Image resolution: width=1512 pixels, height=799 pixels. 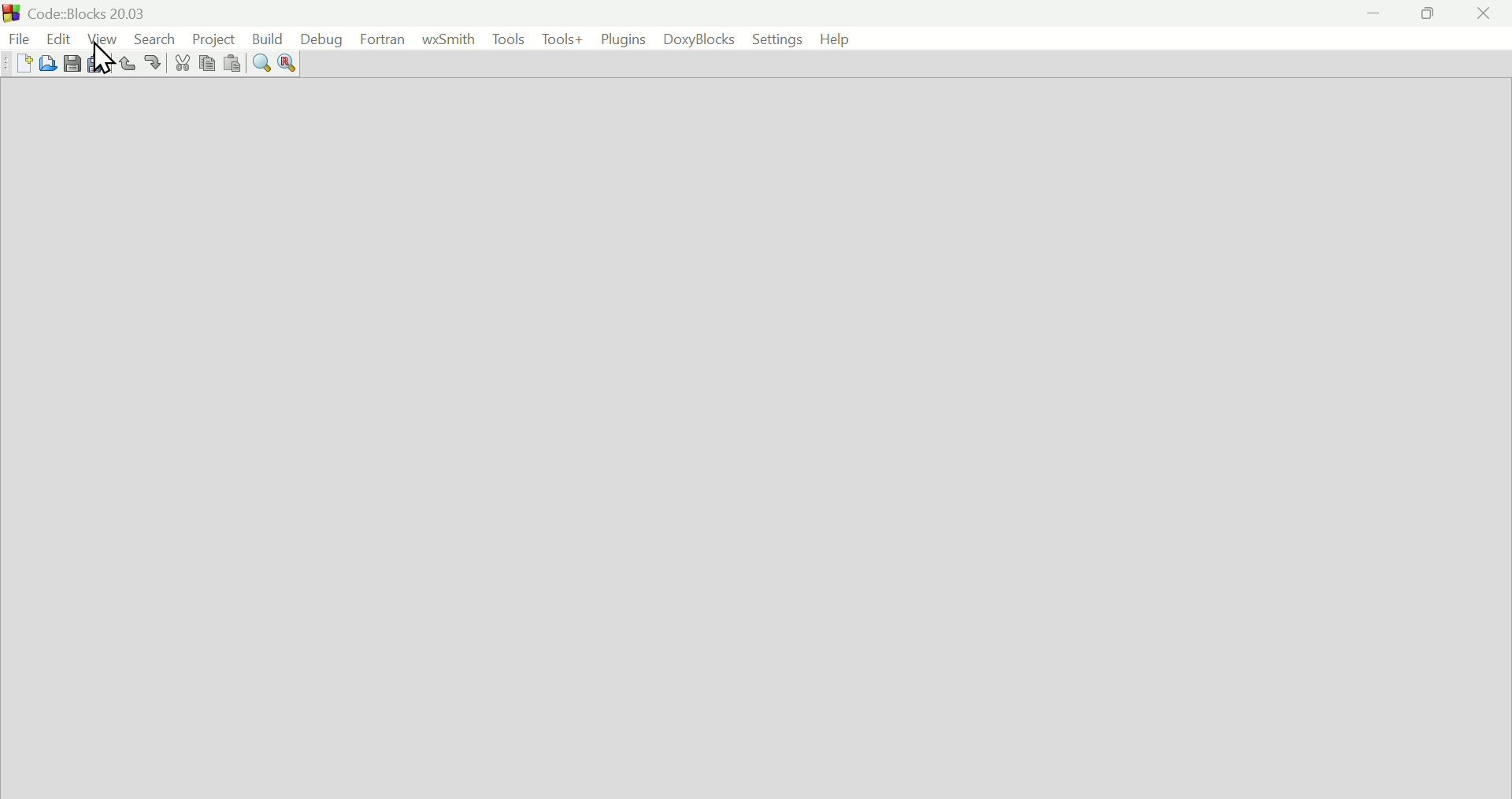 I want to click on Save, so click(x=72, y=63).